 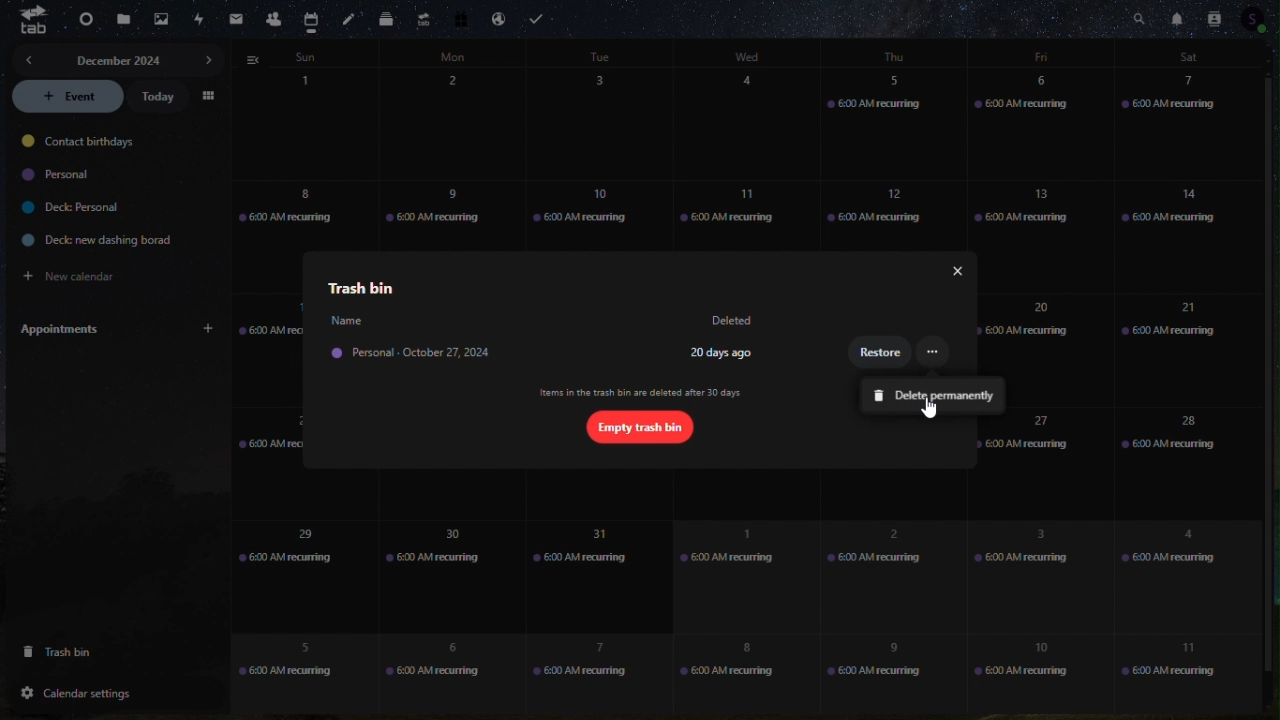 What do you see at coordinates (80, 651) in the screenshot?
I see `trash bin` at bounding box center [80, 651].